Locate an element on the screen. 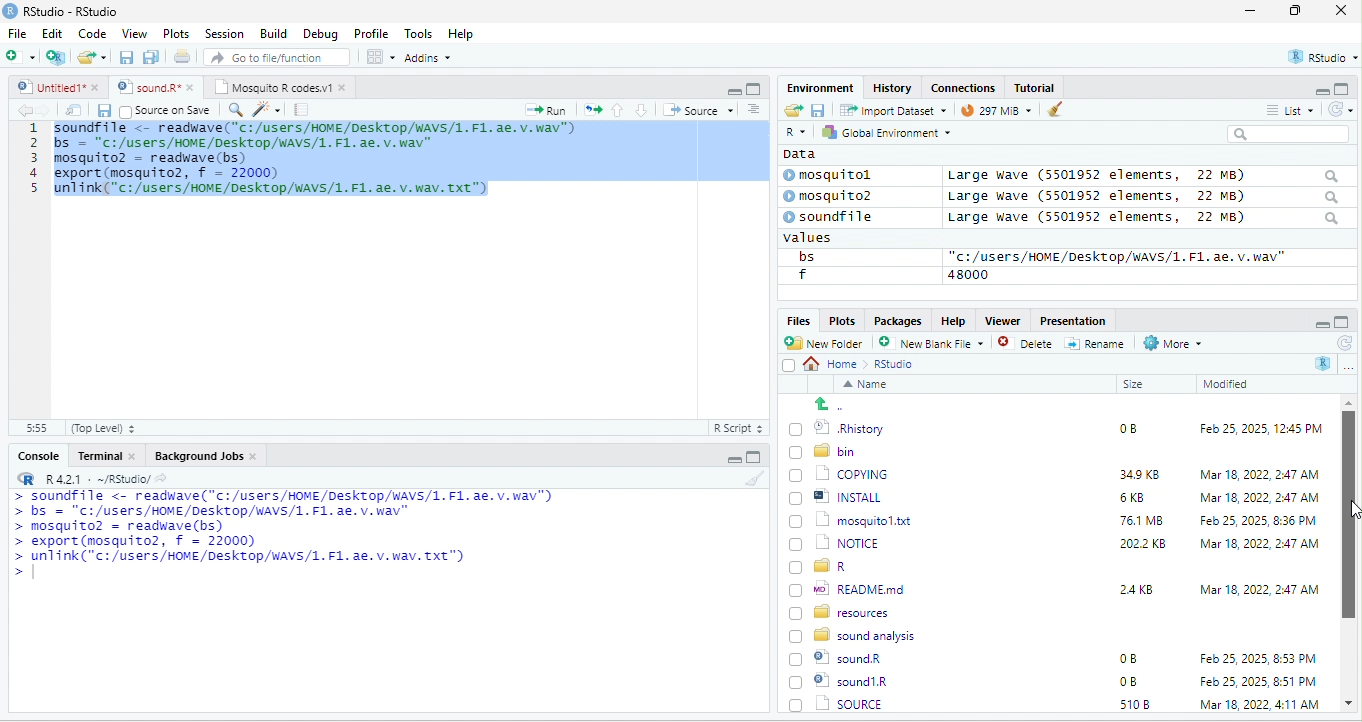 The width and height of the screenshot is (1362, 722). > bs = "c:/users/HOME/Desktop/wAVS/1.F1.ae.v. wav"

> mosquito2 = readwave(bs)

> export (mosquitoz, f = 22000)

> unlink("c:/users/HOME/Desktop/WAVS/1. F1. ae. v. wav. Txt")
> is located at coordinates (280, 546).